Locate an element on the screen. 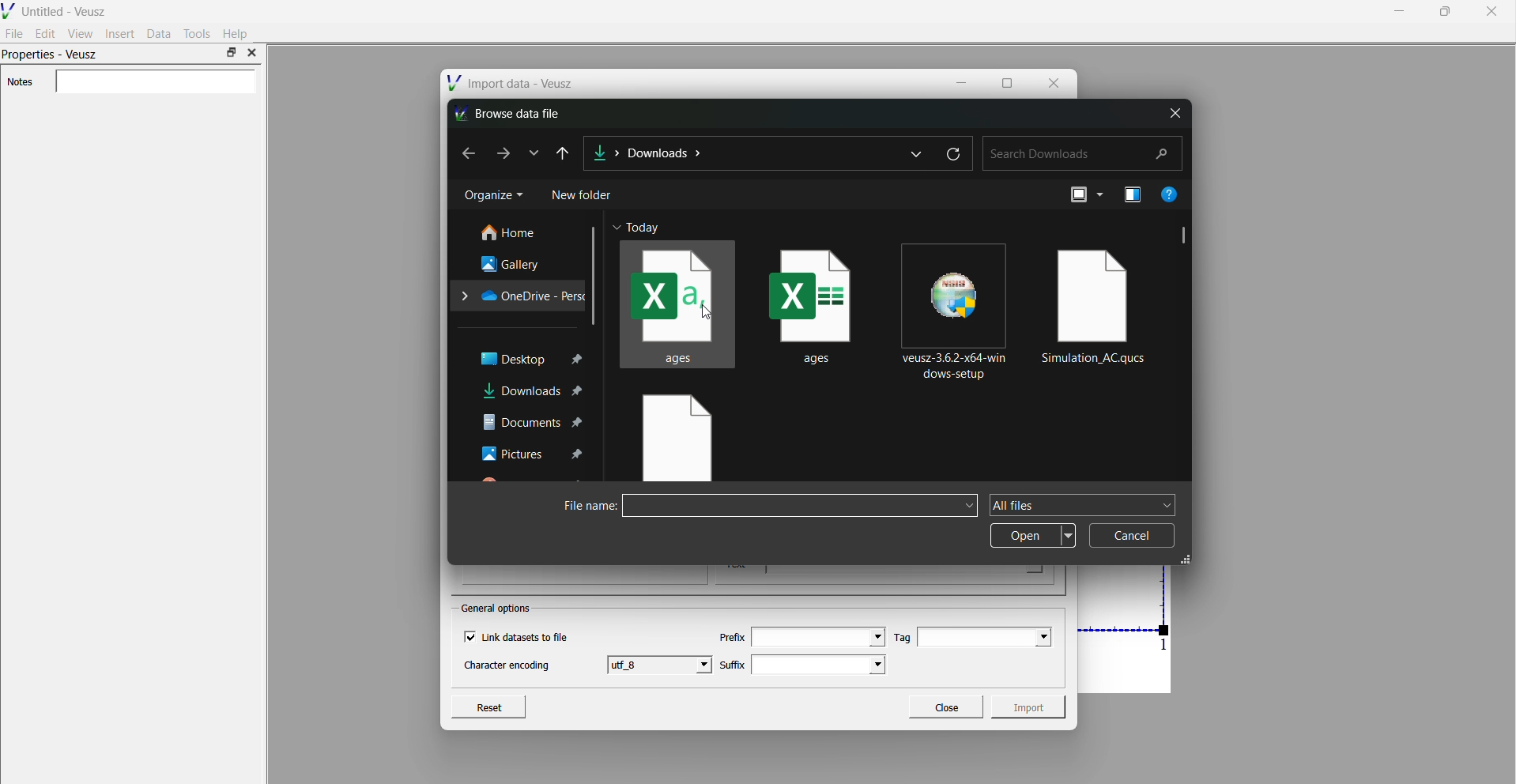 Image resolution: width=1516 pixels, height=784 pixels. New folder is located at coordinates (583, 194).